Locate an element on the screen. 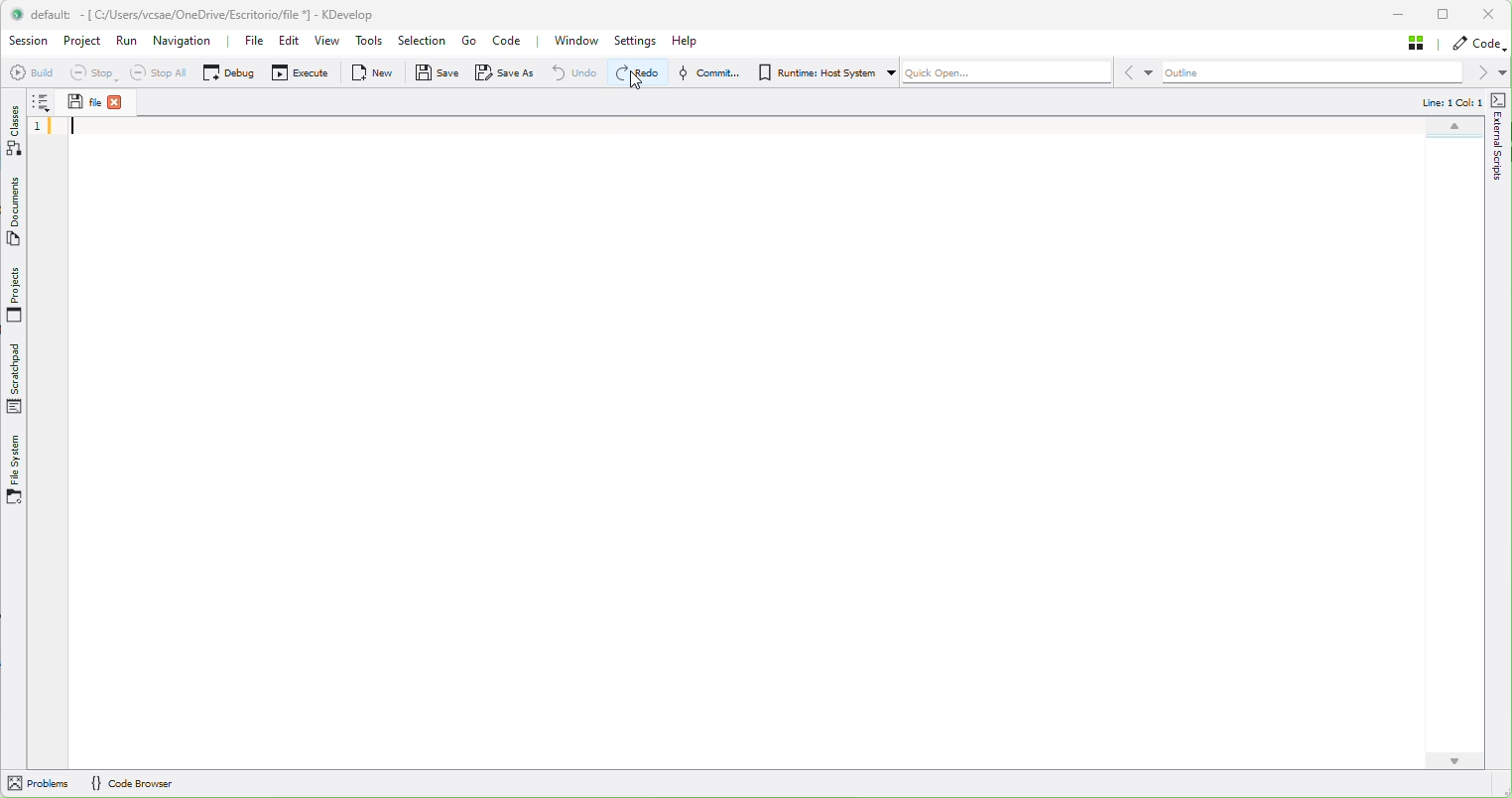 The width and height of the screenshot is (1512, 798). Commit is located at coordinates (708, 73).